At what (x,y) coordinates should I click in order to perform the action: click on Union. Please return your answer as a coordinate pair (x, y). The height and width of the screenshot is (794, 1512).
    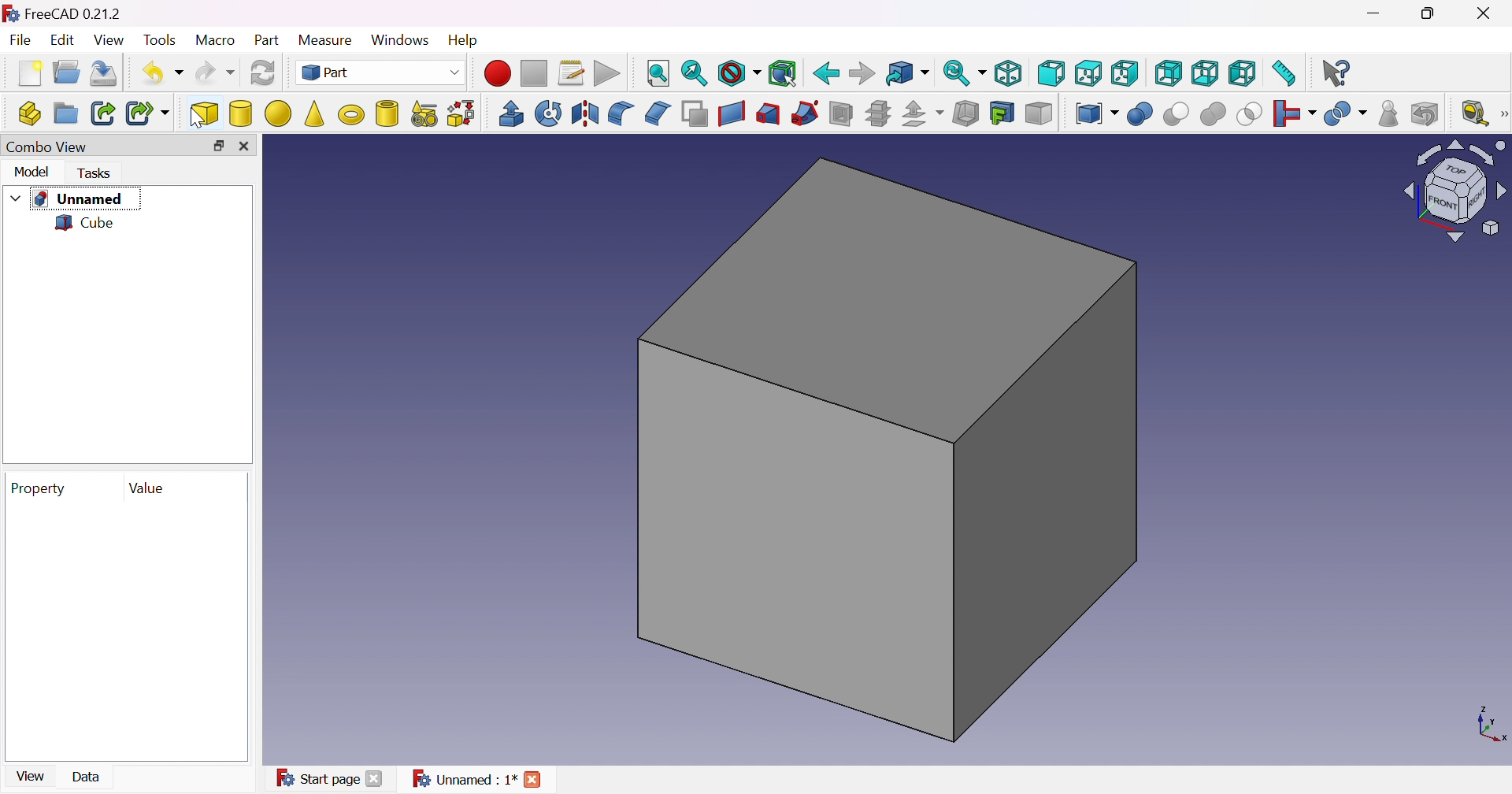
    Looking at the image, I should click on (1214, 114).